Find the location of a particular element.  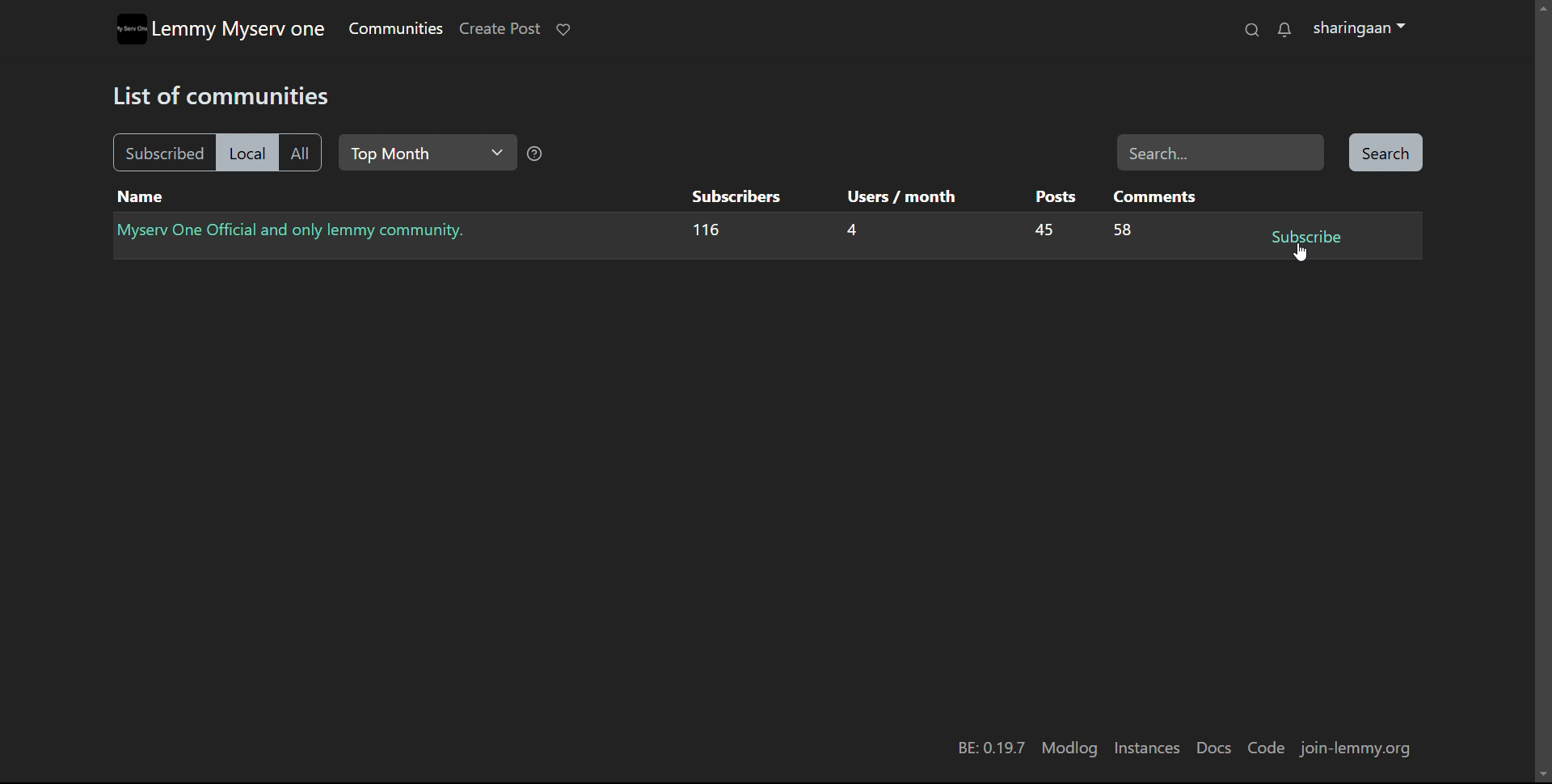

profile is located at coordinates (1360, 29).